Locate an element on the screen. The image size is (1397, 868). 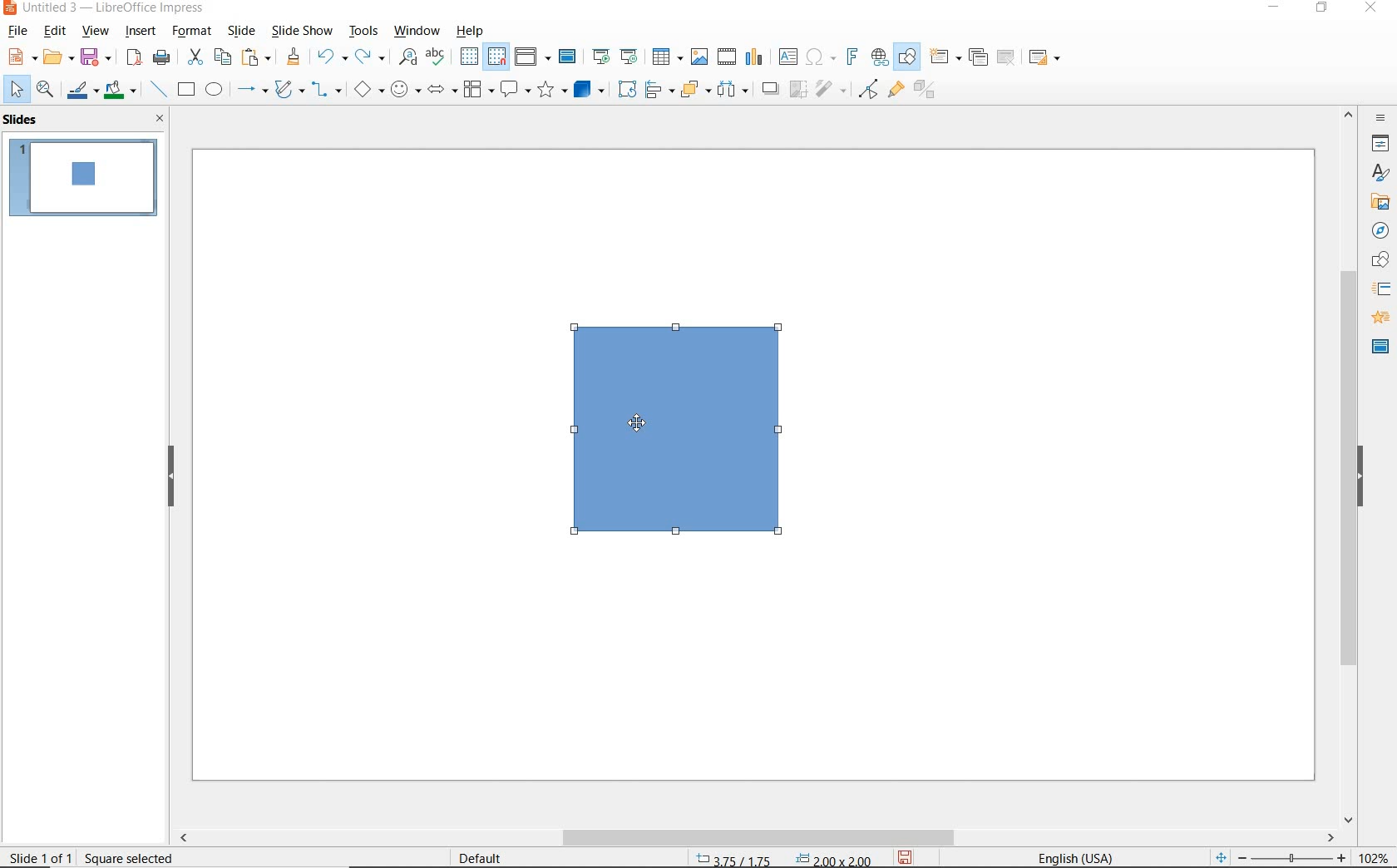
open is located at coordinates (57, 57).